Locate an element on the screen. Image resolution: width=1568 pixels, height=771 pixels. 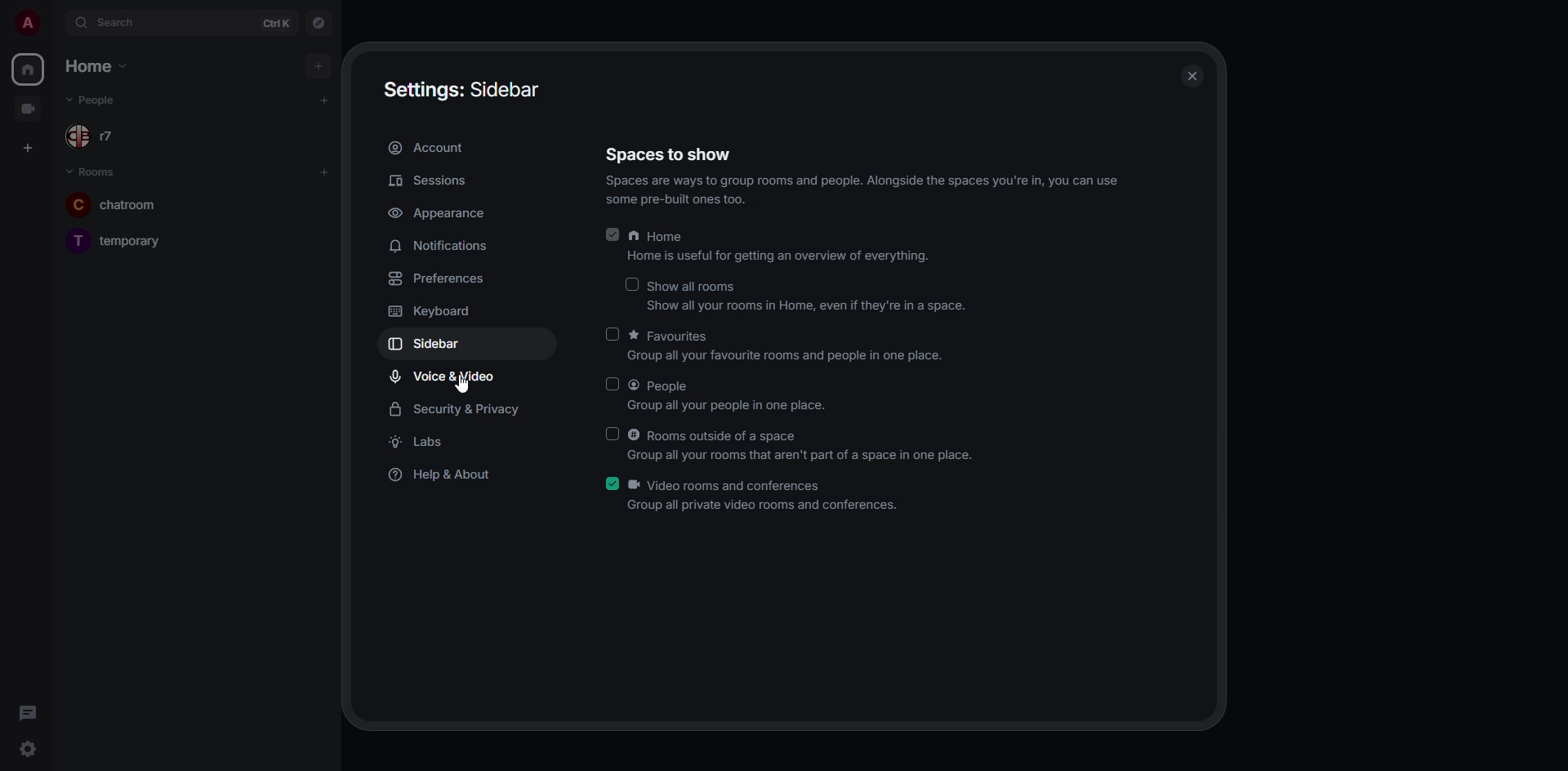
navigator is located at coordinates (318, 25).